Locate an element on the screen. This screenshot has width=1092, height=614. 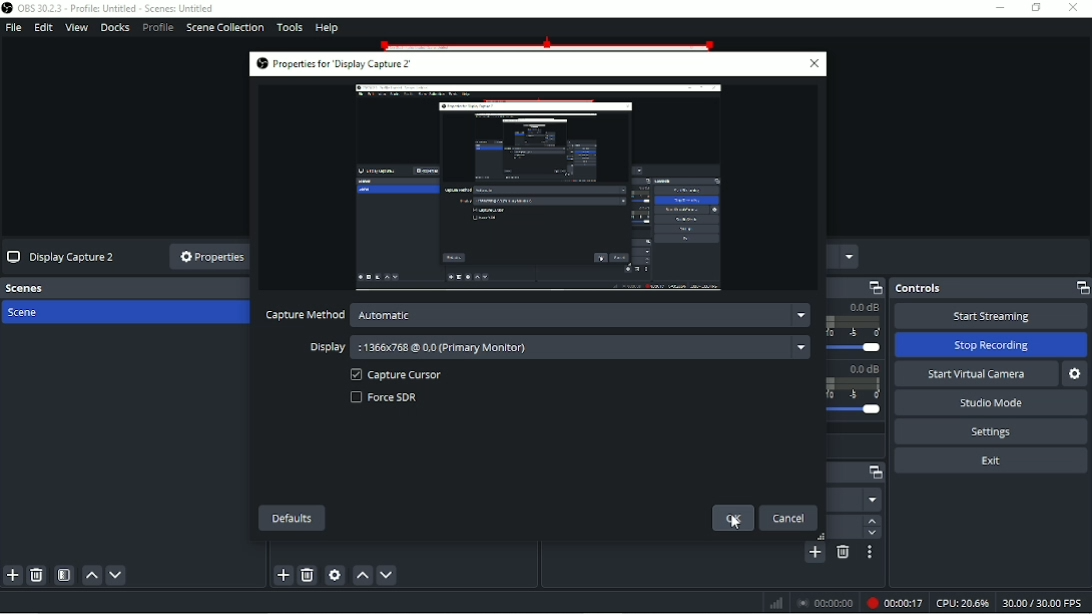
Close is located at coordinates (814, 65).